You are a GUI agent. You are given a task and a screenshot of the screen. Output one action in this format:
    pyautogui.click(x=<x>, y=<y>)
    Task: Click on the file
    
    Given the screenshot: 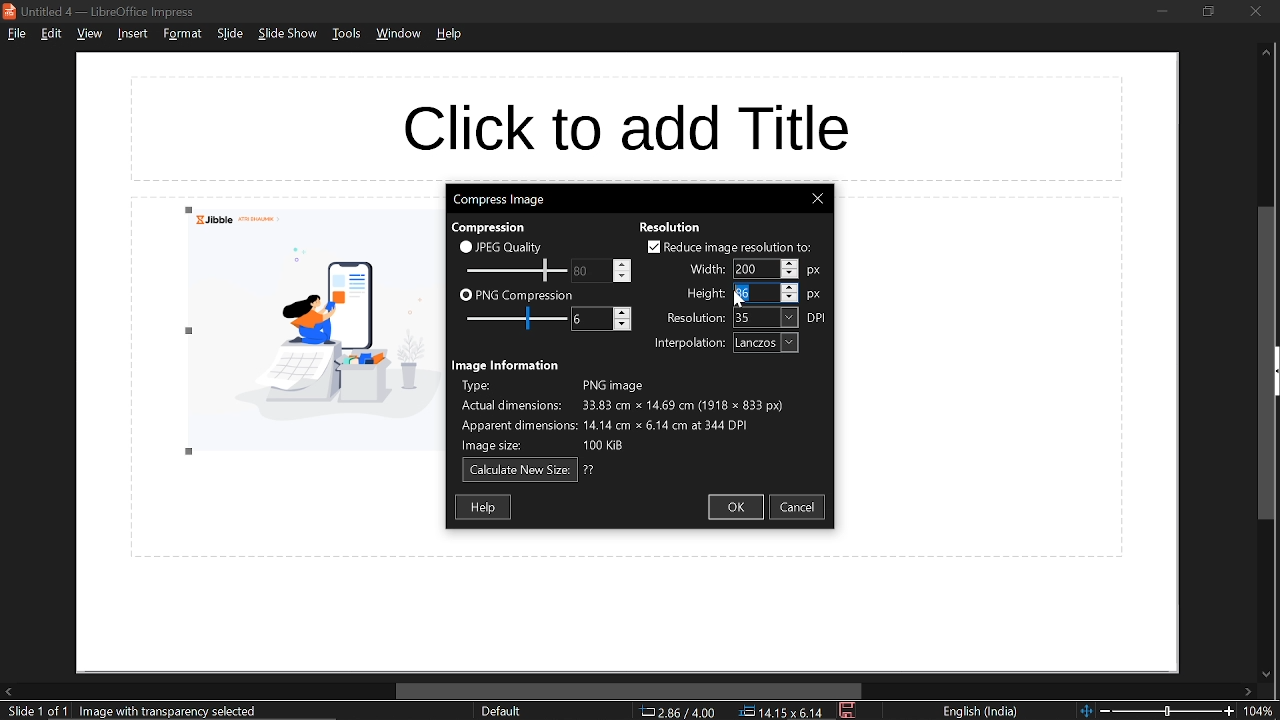 What is the action you would take?
    pyautogui.click(x=16, y=33)
    